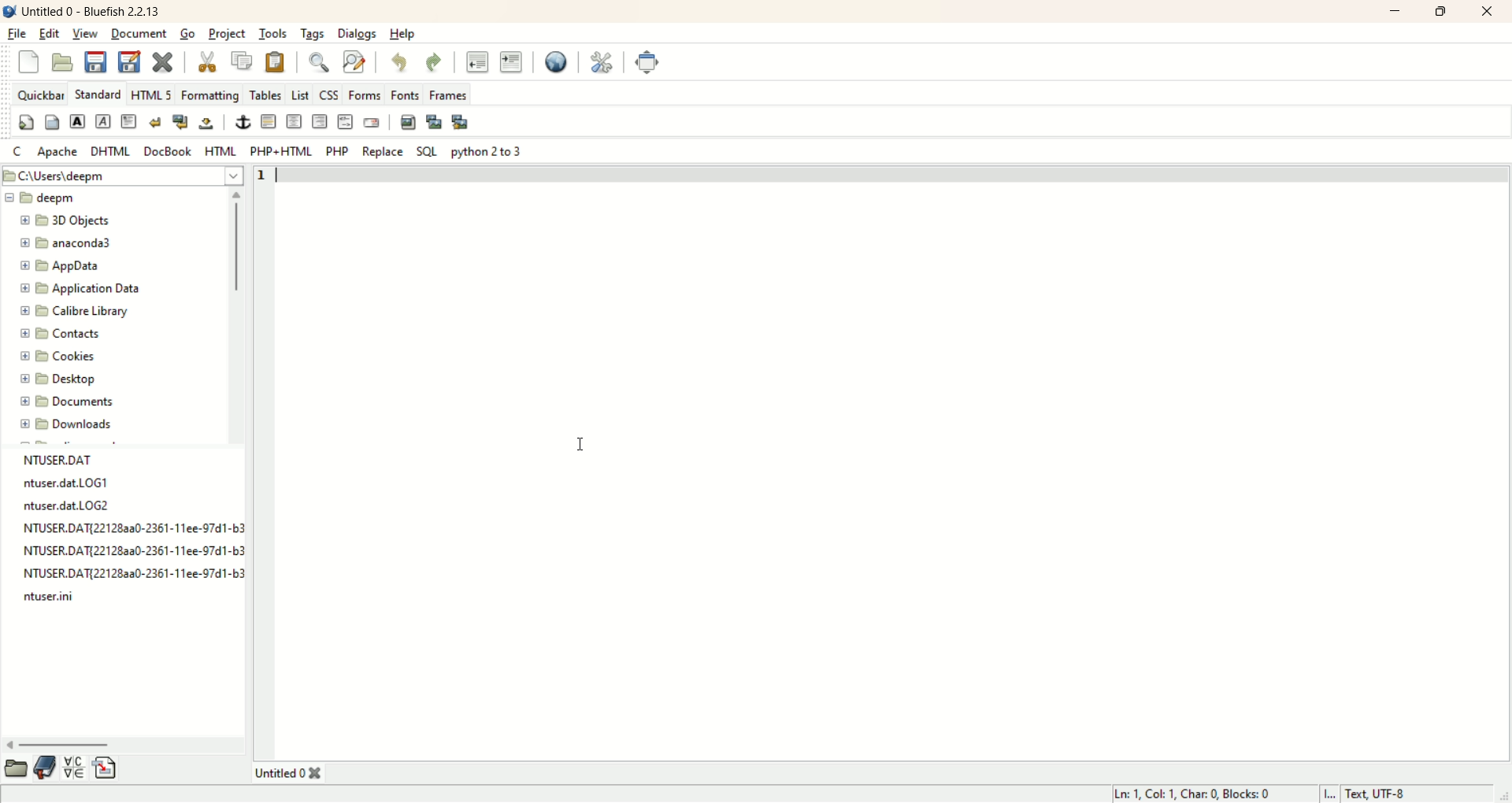 The height and width of the screenshot is (803, 1512). What do you see at coordinates (286, 772) in the screenshot?
I see `untitled` at bounding box center [286, 772].